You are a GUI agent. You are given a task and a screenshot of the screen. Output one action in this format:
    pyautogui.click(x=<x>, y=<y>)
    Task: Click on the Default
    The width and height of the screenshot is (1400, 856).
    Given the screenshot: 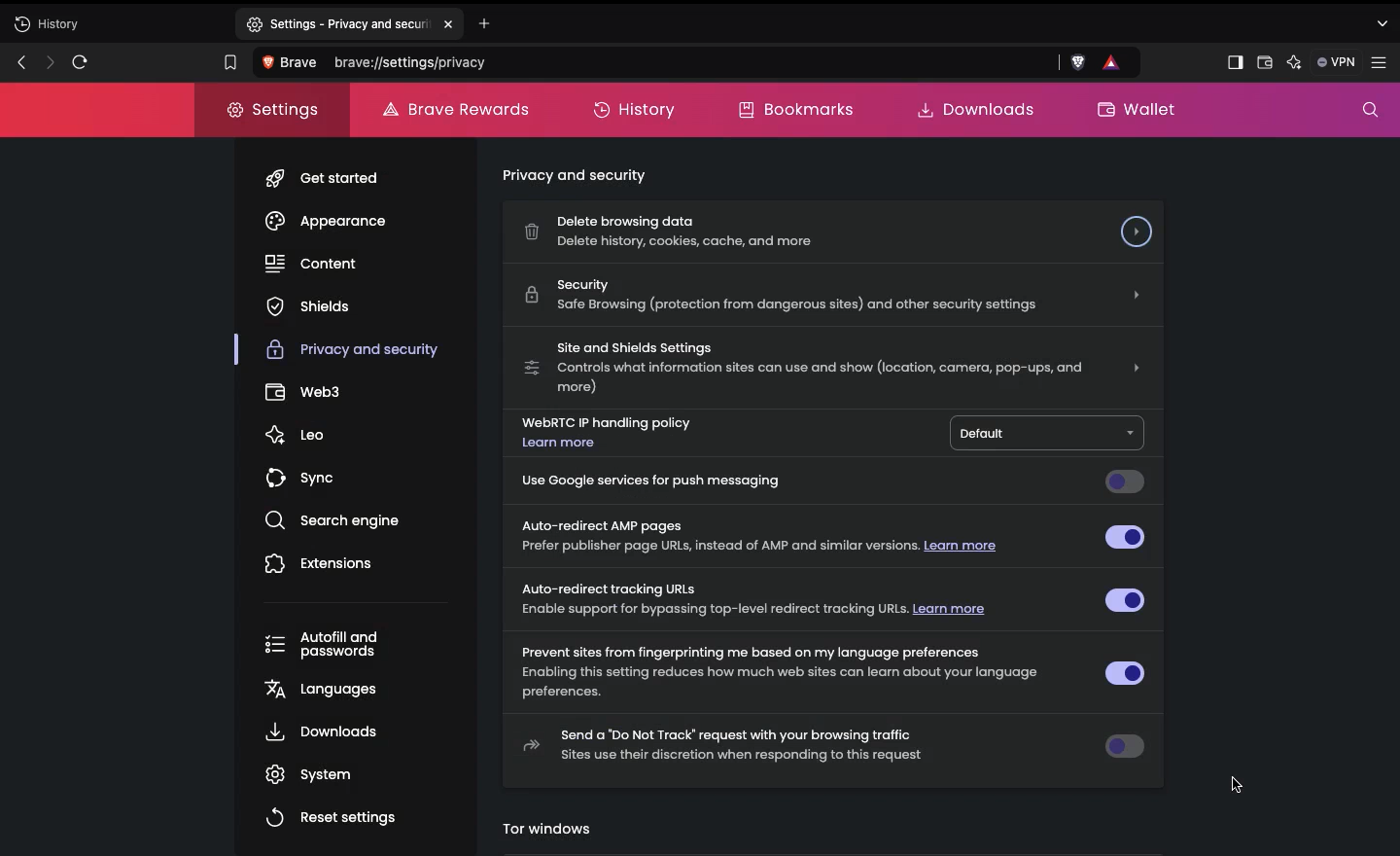 What is the action you would take?
    pyautogui.click(x=1046, y=433)
    